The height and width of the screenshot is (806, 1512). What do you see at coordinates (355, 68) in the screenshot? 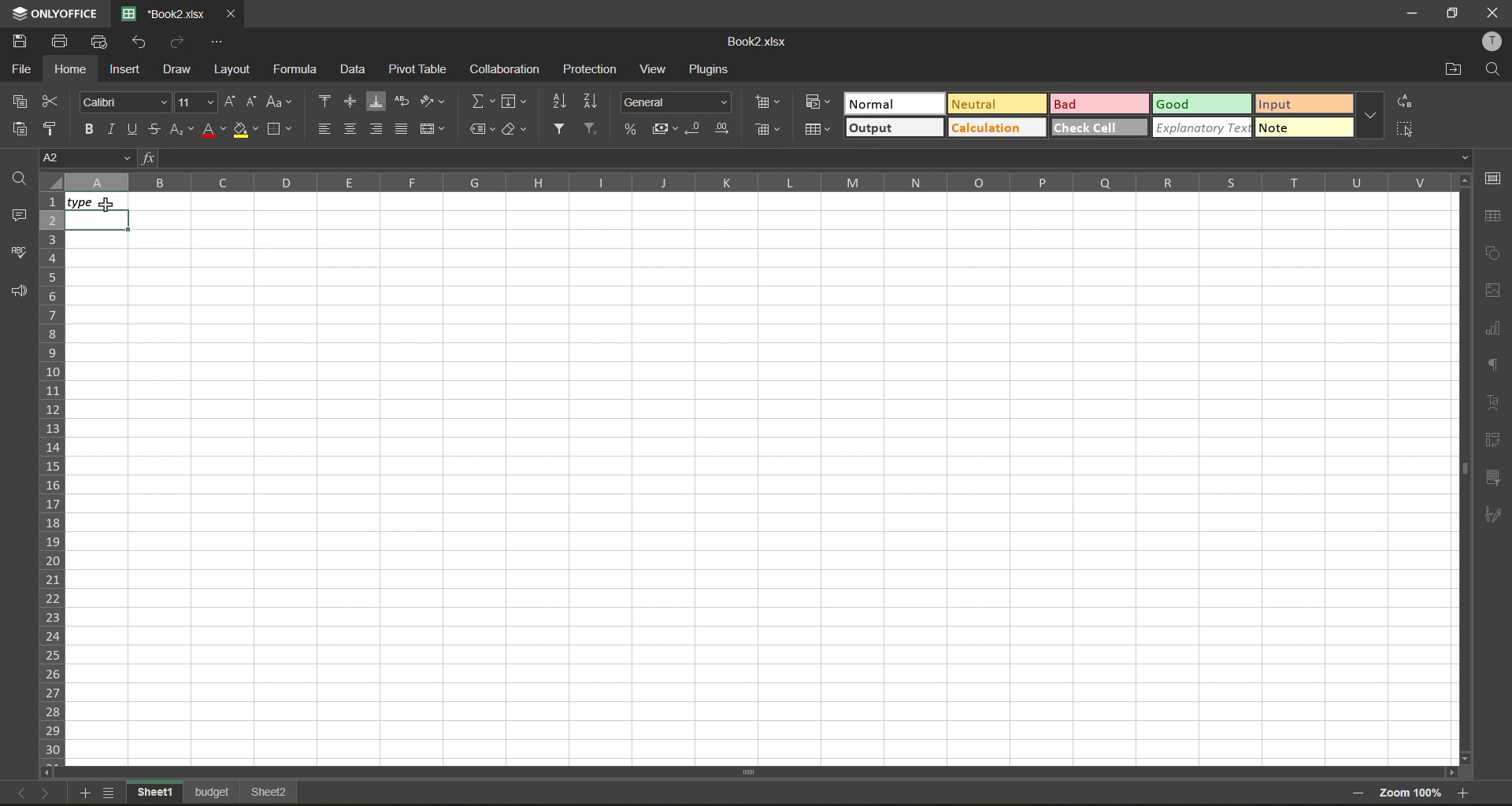
I see `data` at bounding box center [355, 68].